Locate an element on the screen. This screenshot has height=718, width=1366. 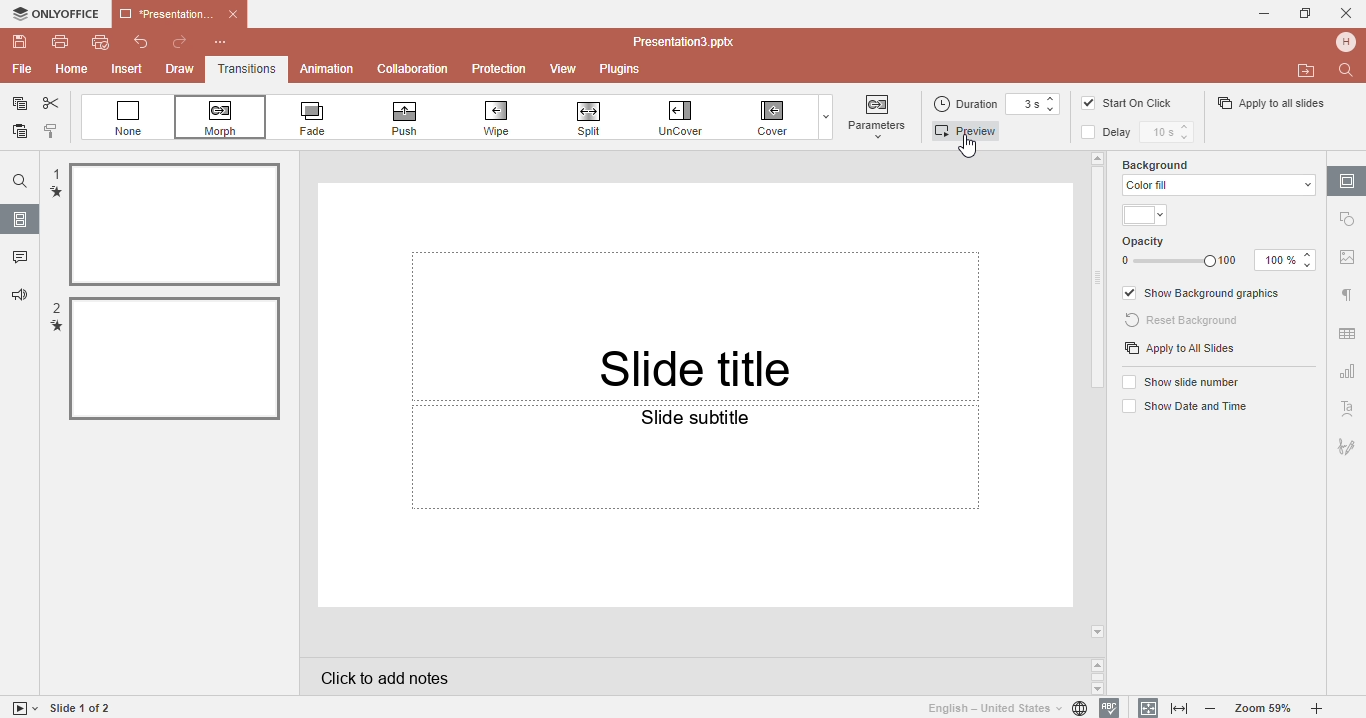
Slide subtittle is located at coordinates (695, 505).